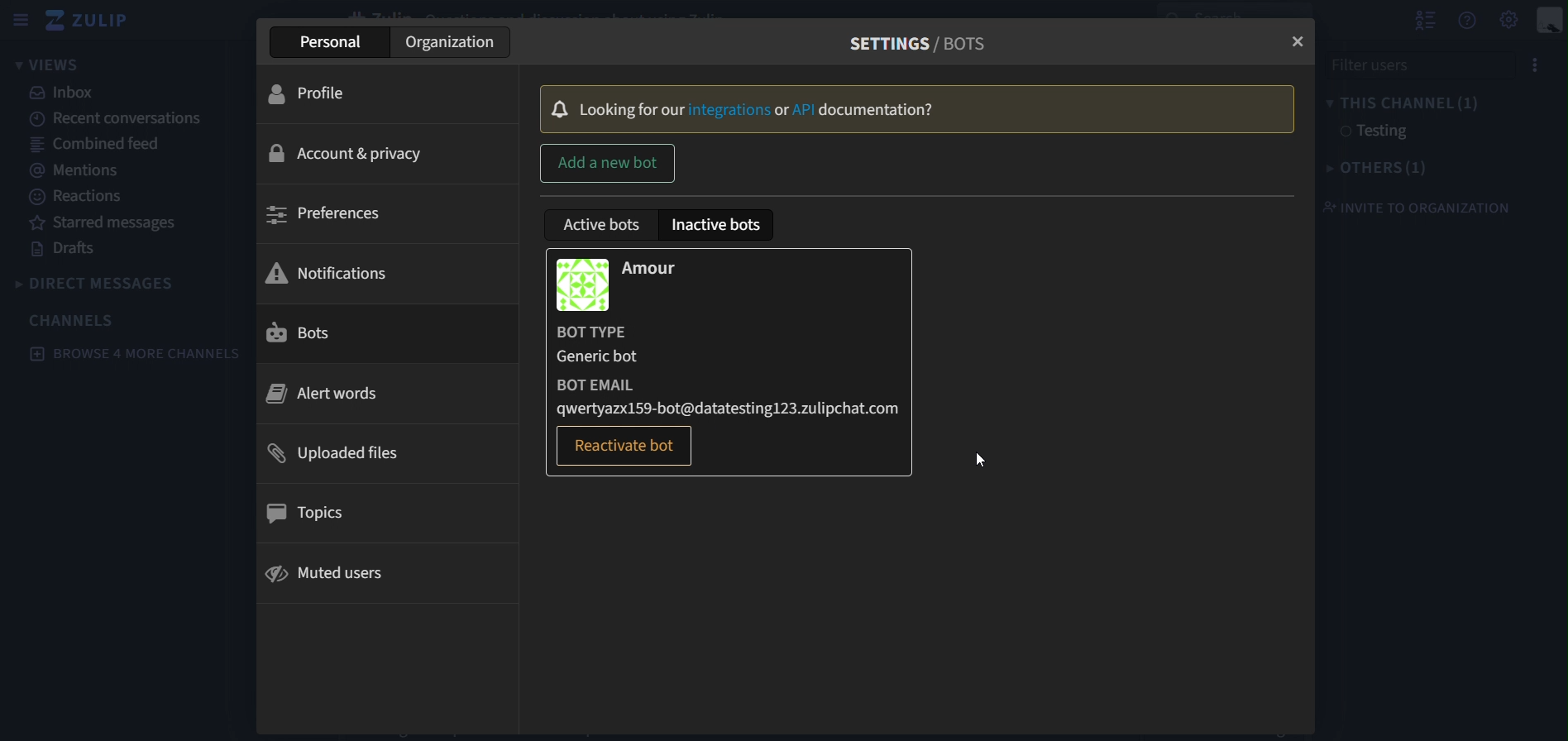 The width and height of the screenshot is (1568, 741). Describe the element at coordinates (1402, 101) in the screenshot. I see `this channel(1)` at that location.